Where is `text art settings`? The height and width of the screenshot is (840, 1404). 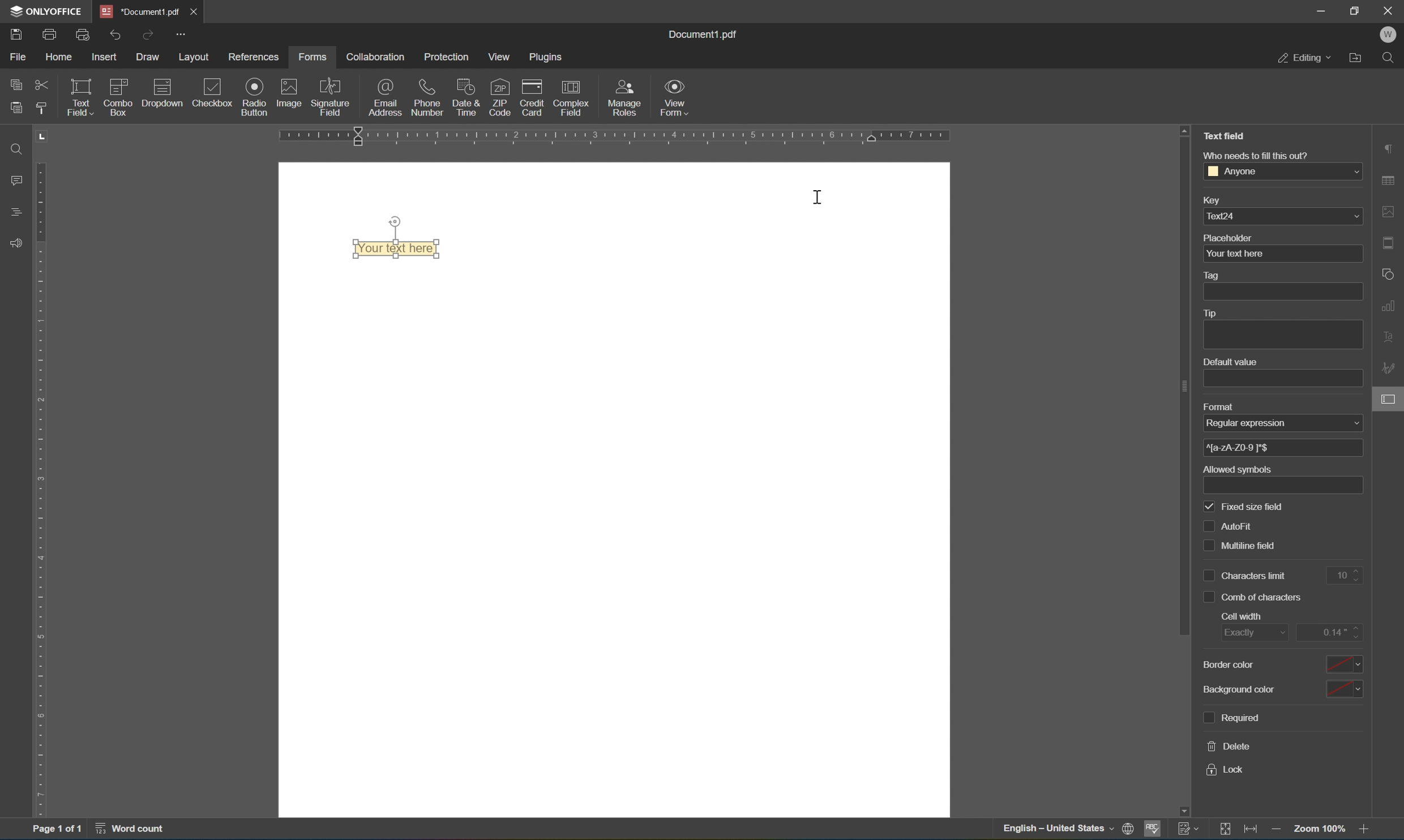
text art settings is located at coordinates (1390, 335).